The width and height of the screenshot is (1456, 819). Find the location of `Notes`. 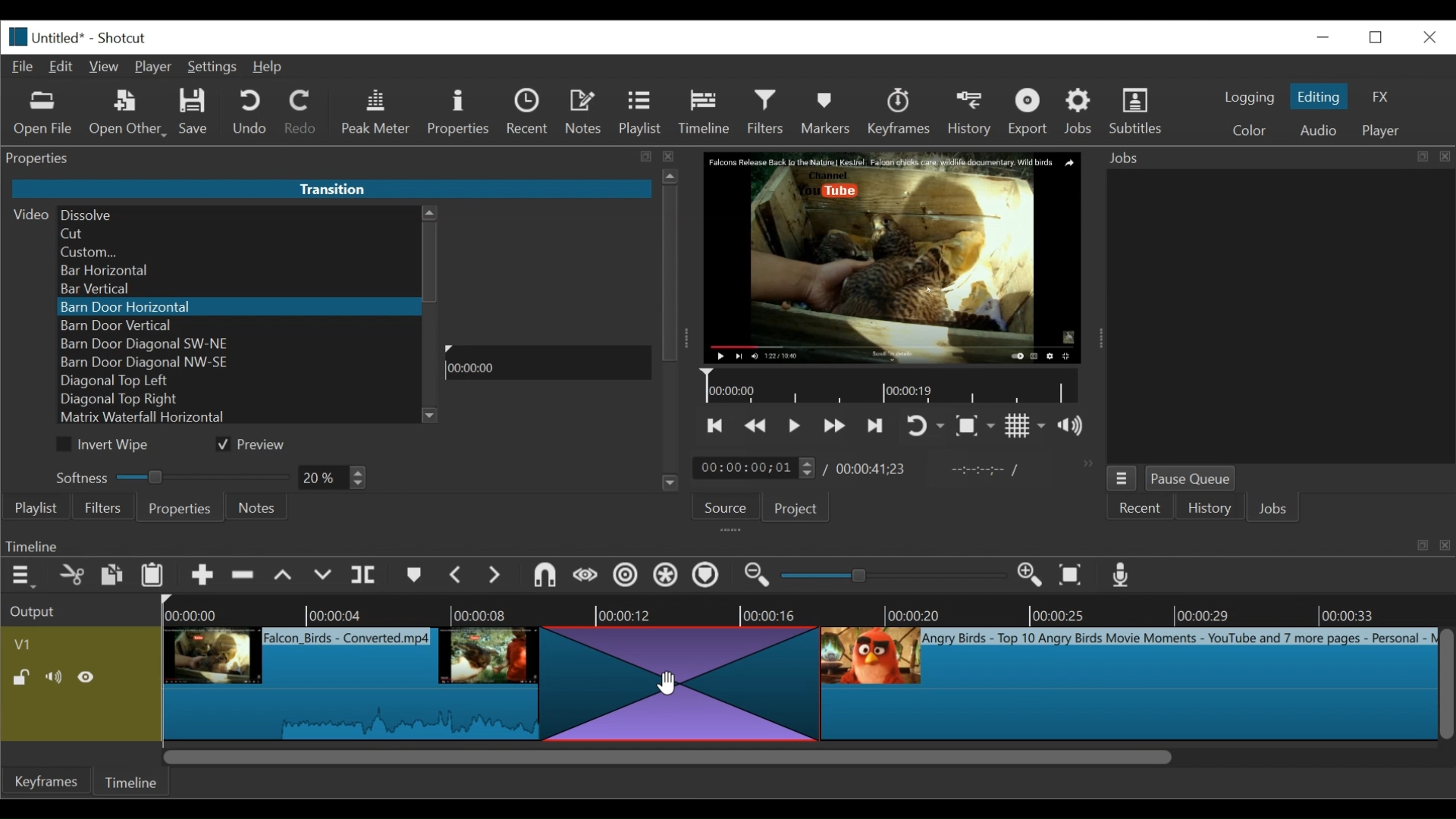

Notes is located at coordinates (585, 114).